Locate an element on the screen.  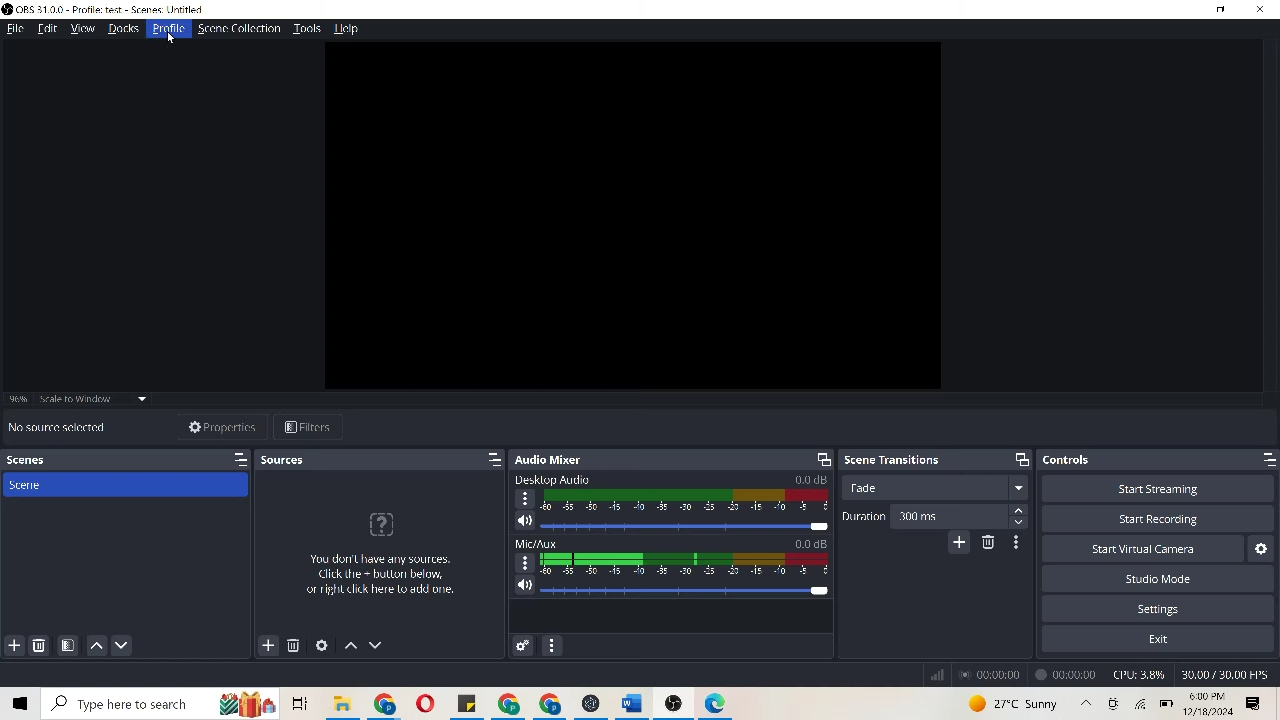
move scene up is located at coordinates (97, 643).